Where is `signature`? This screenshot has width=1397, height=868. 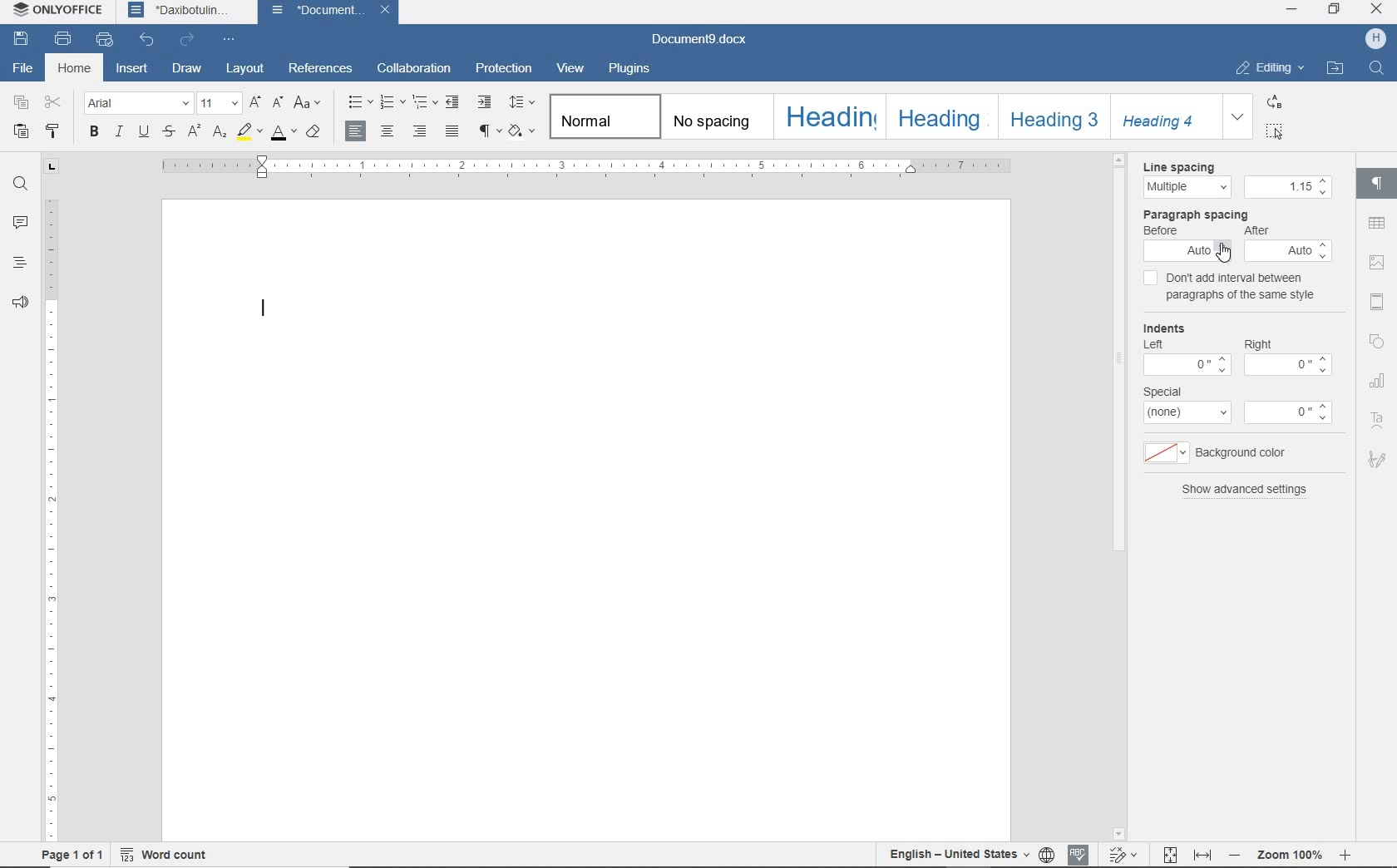 signature is located at coordinates (1377, 462).